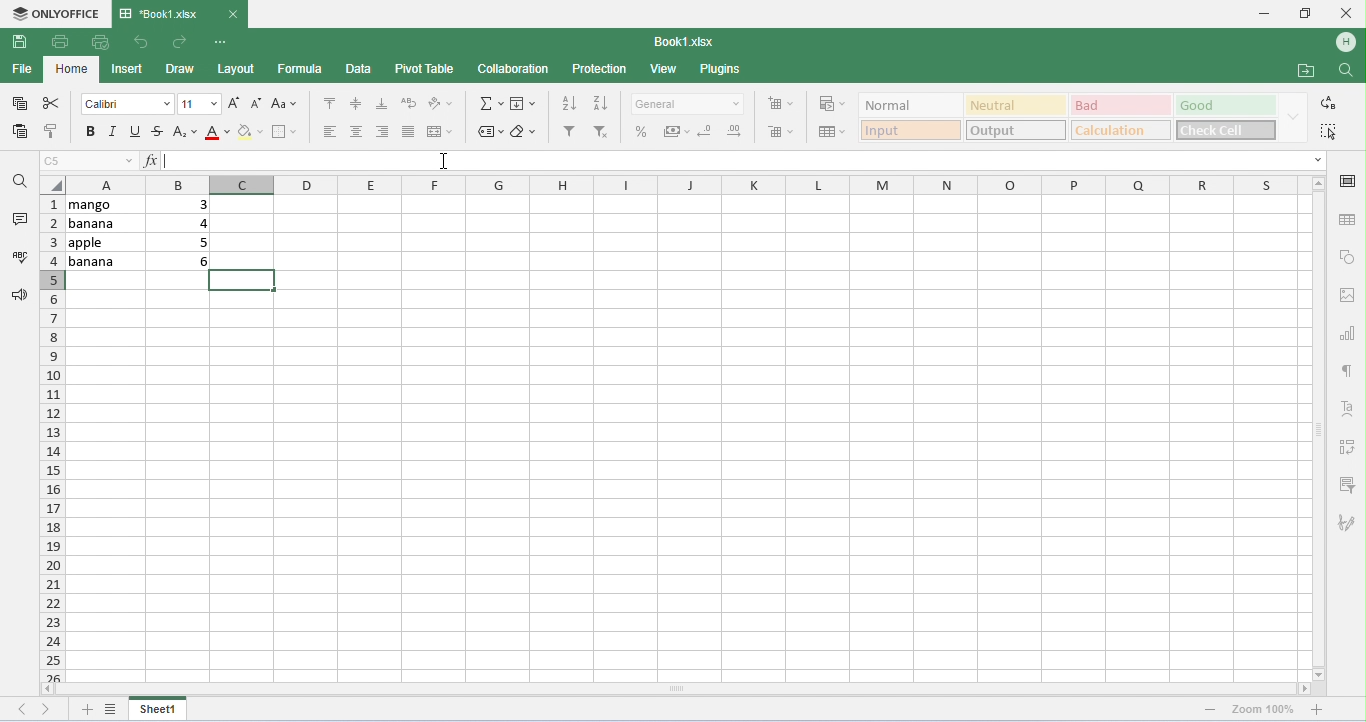 This screenshot has width=1366, height=722. I want to click on layout, so click(236, 69).